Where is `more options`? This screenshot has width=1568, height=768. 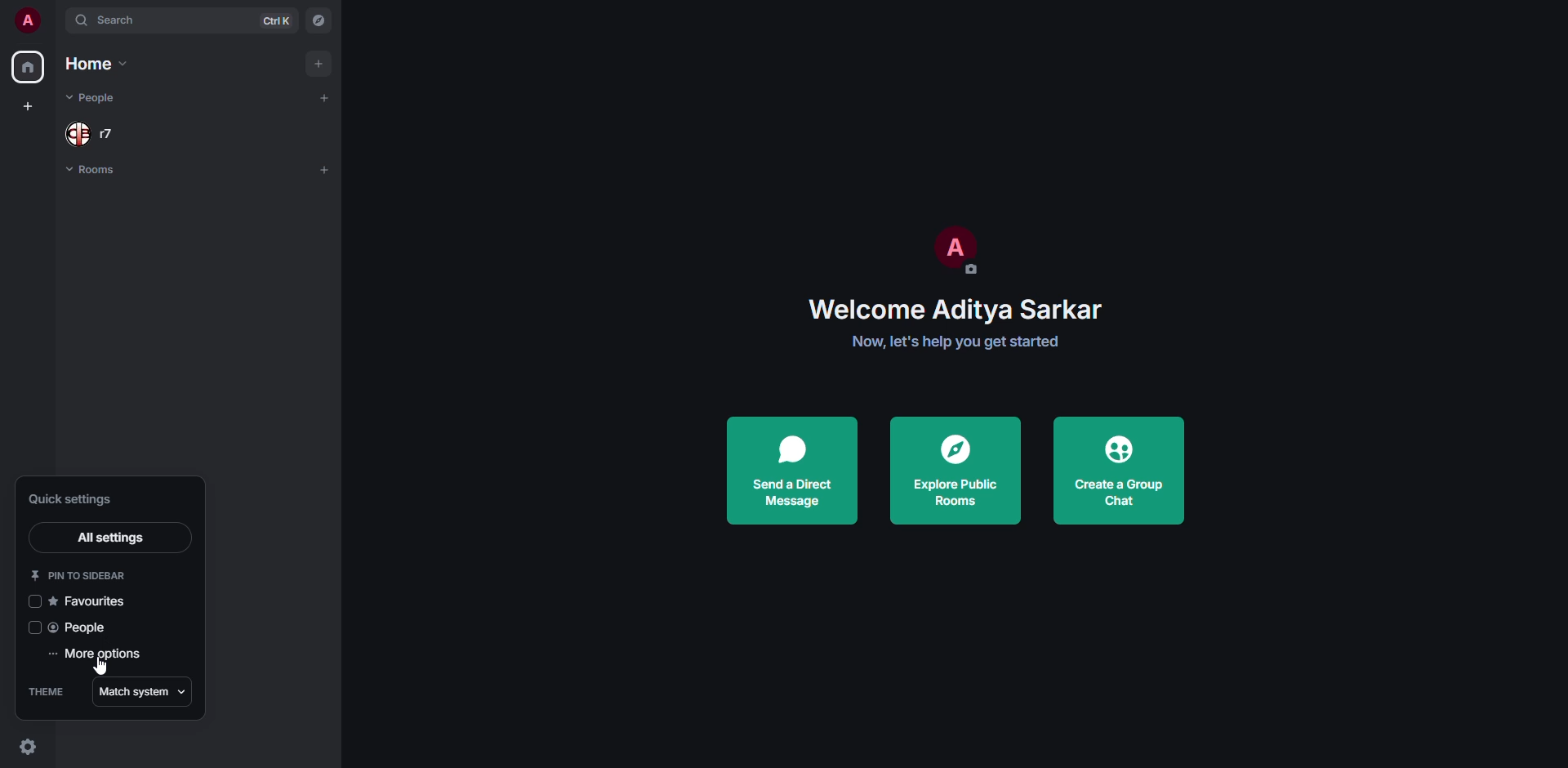 more options is located at coordinates (95, 655).